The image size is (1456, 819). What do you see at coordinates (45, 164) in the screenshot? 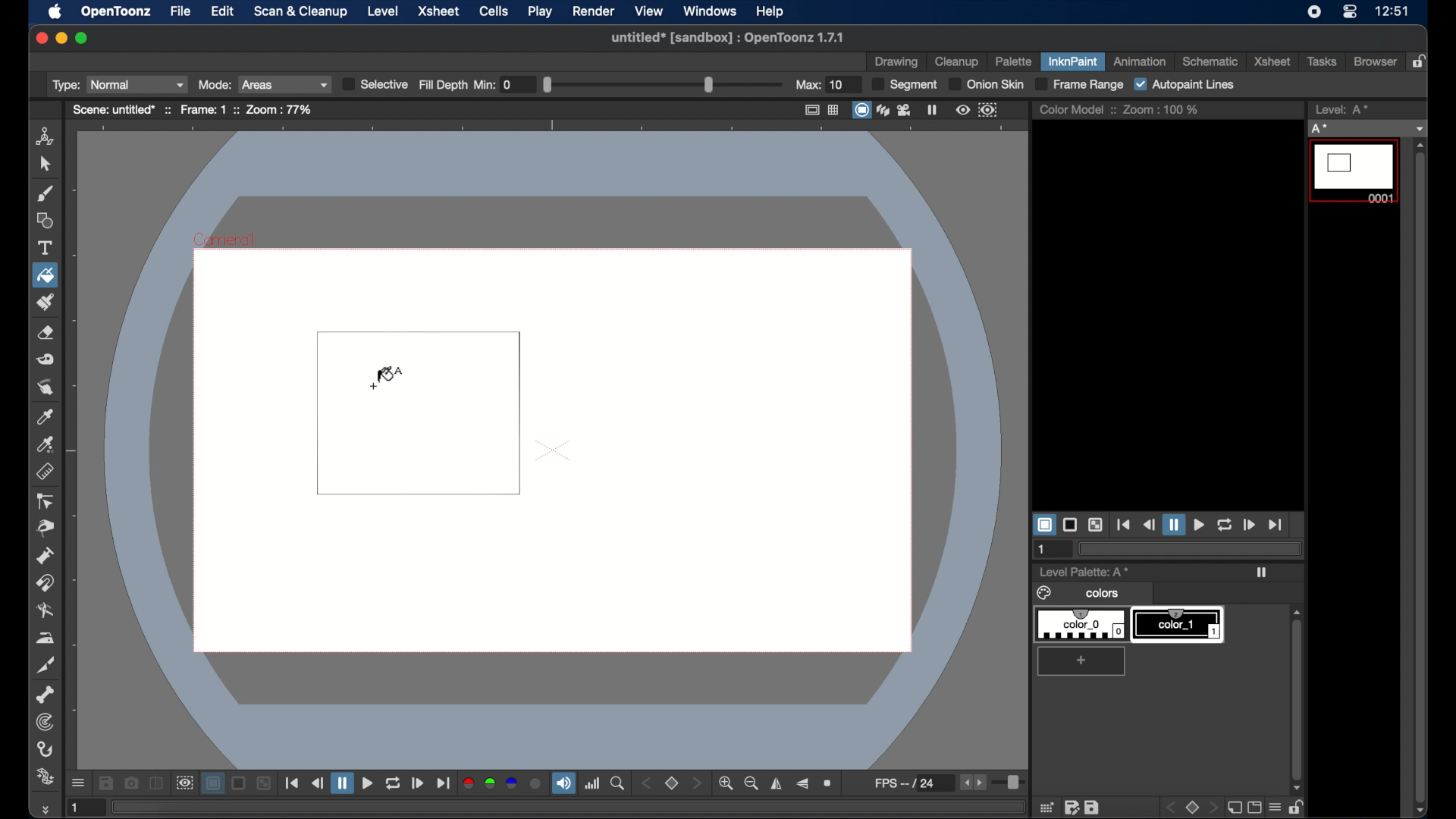
I see `cursor tool` at bounding box center [45, 164].